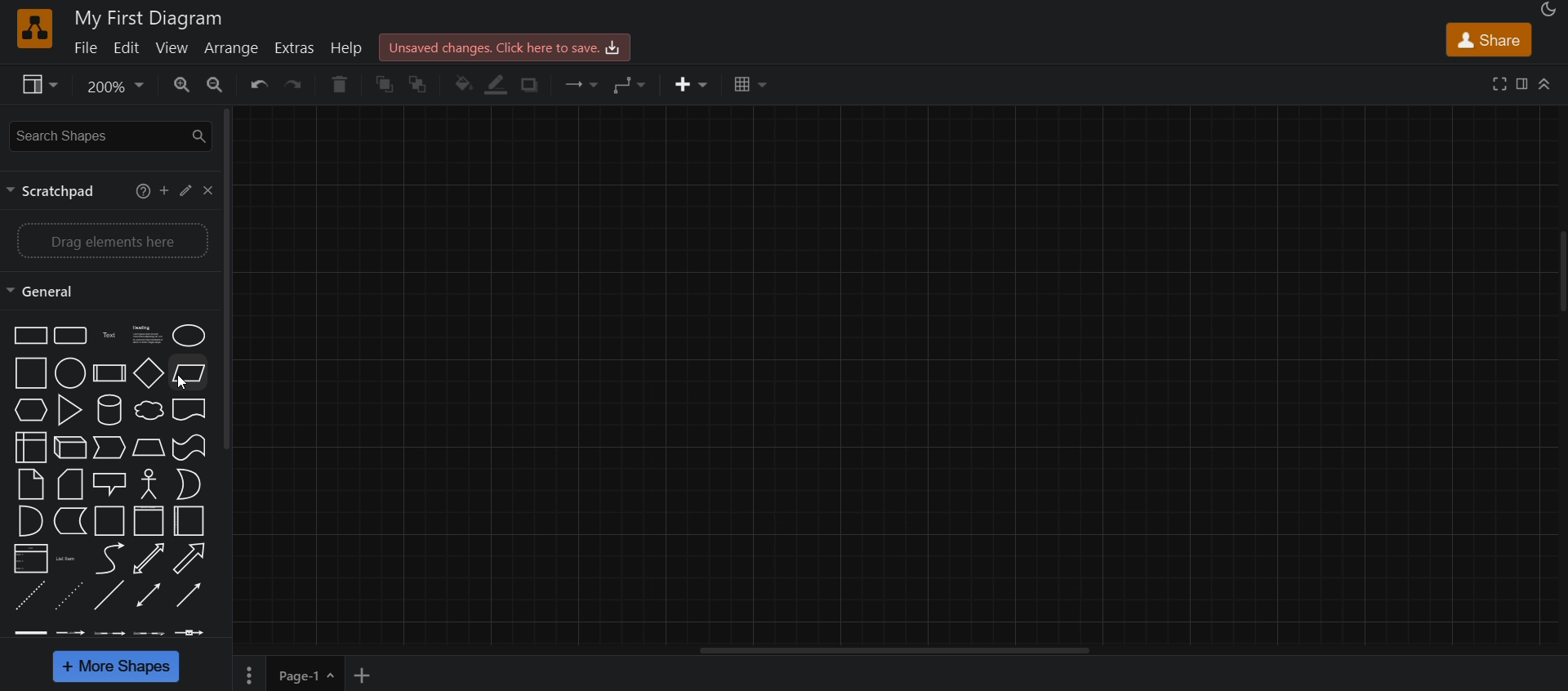 This screenshot has height=691, width=1568. I want to click on edit, so click(188, 192).